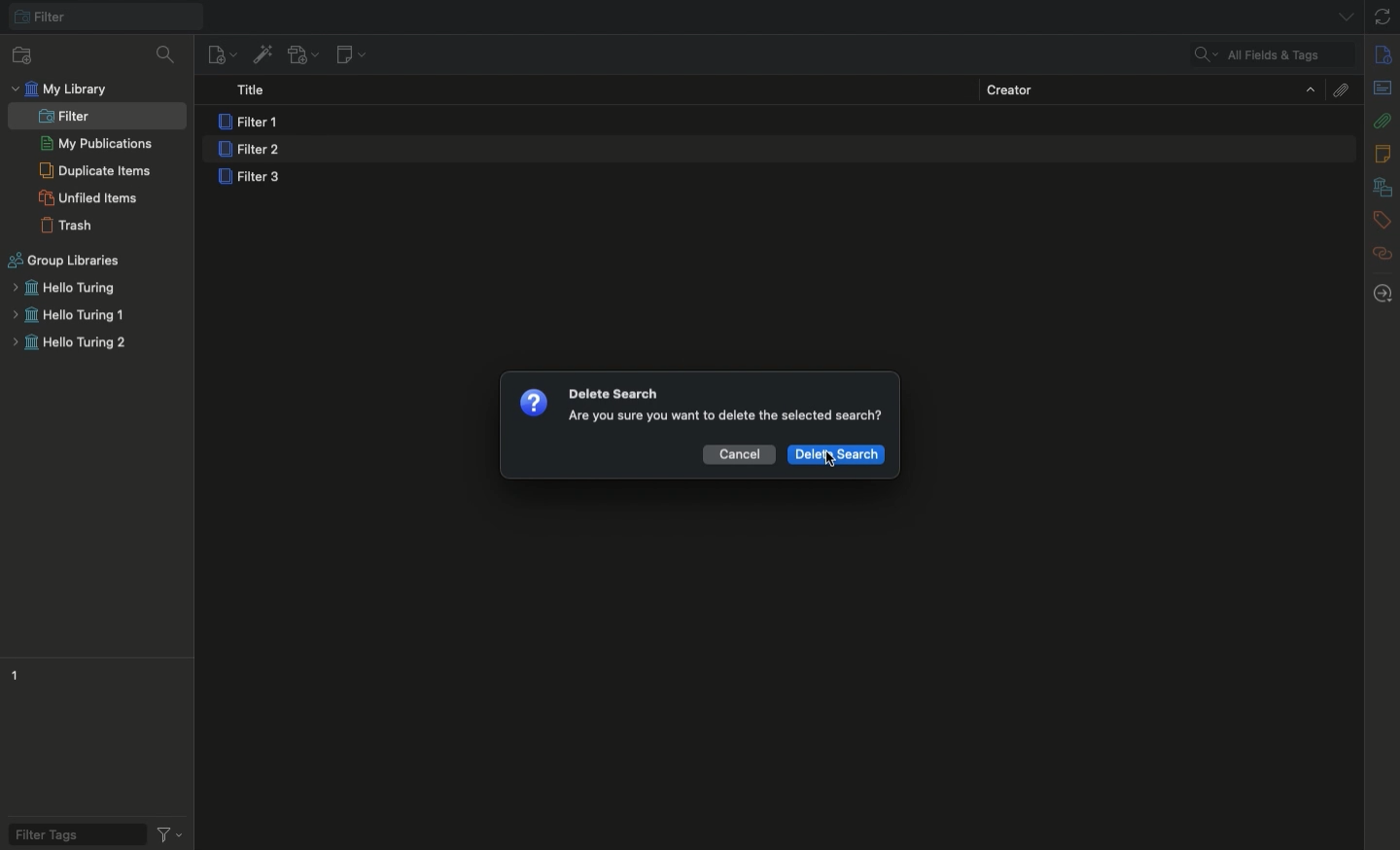 The image size is (1400, 850). What do you see at coordinates (222, 53) in the screenshot?
I see `New item` at bounding box center [222, 53].